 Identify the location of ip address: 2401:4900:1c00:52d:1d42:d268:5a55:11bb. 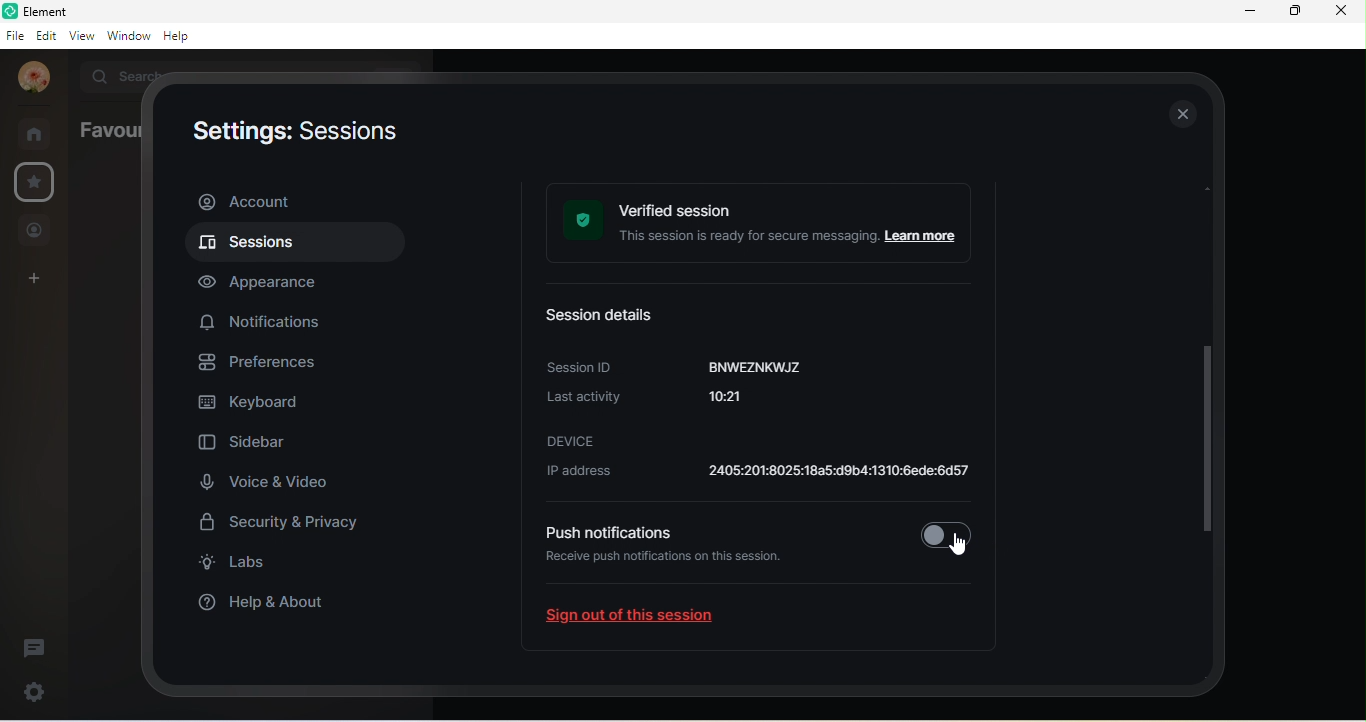
(753, 474).